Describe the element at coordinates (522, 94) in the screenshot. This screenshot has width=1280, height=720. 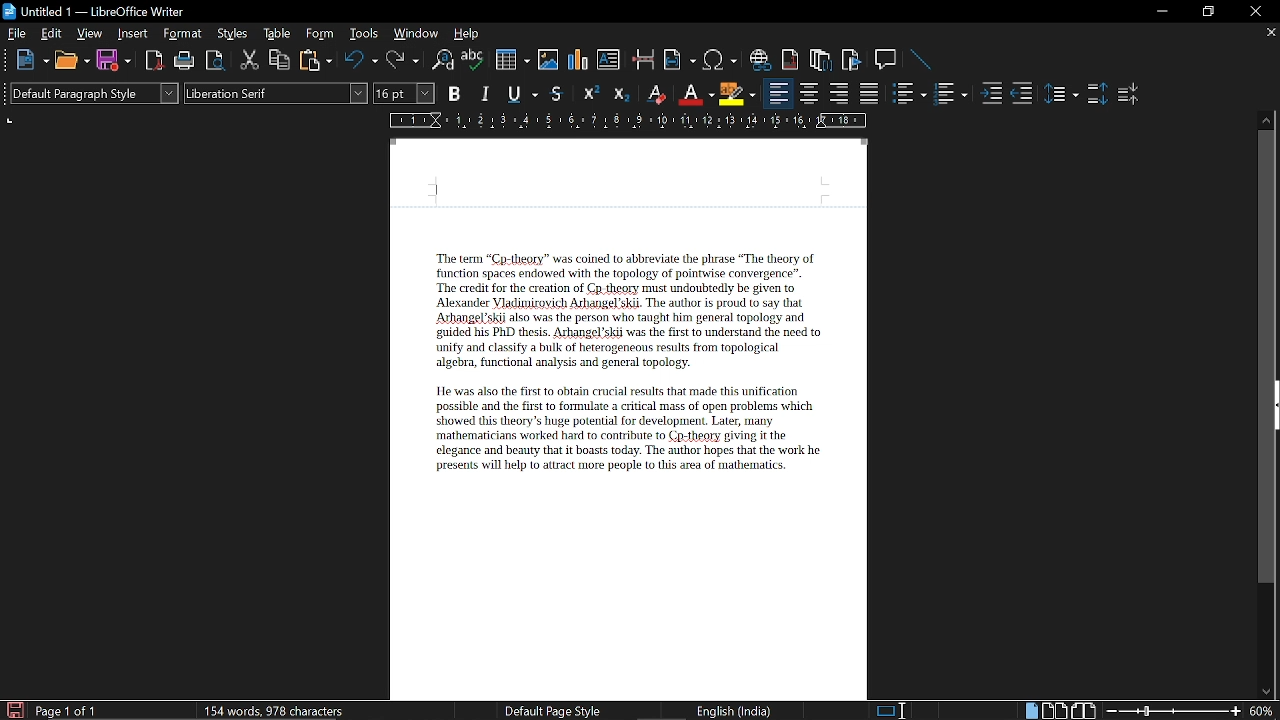
I see `Underline` at that location.